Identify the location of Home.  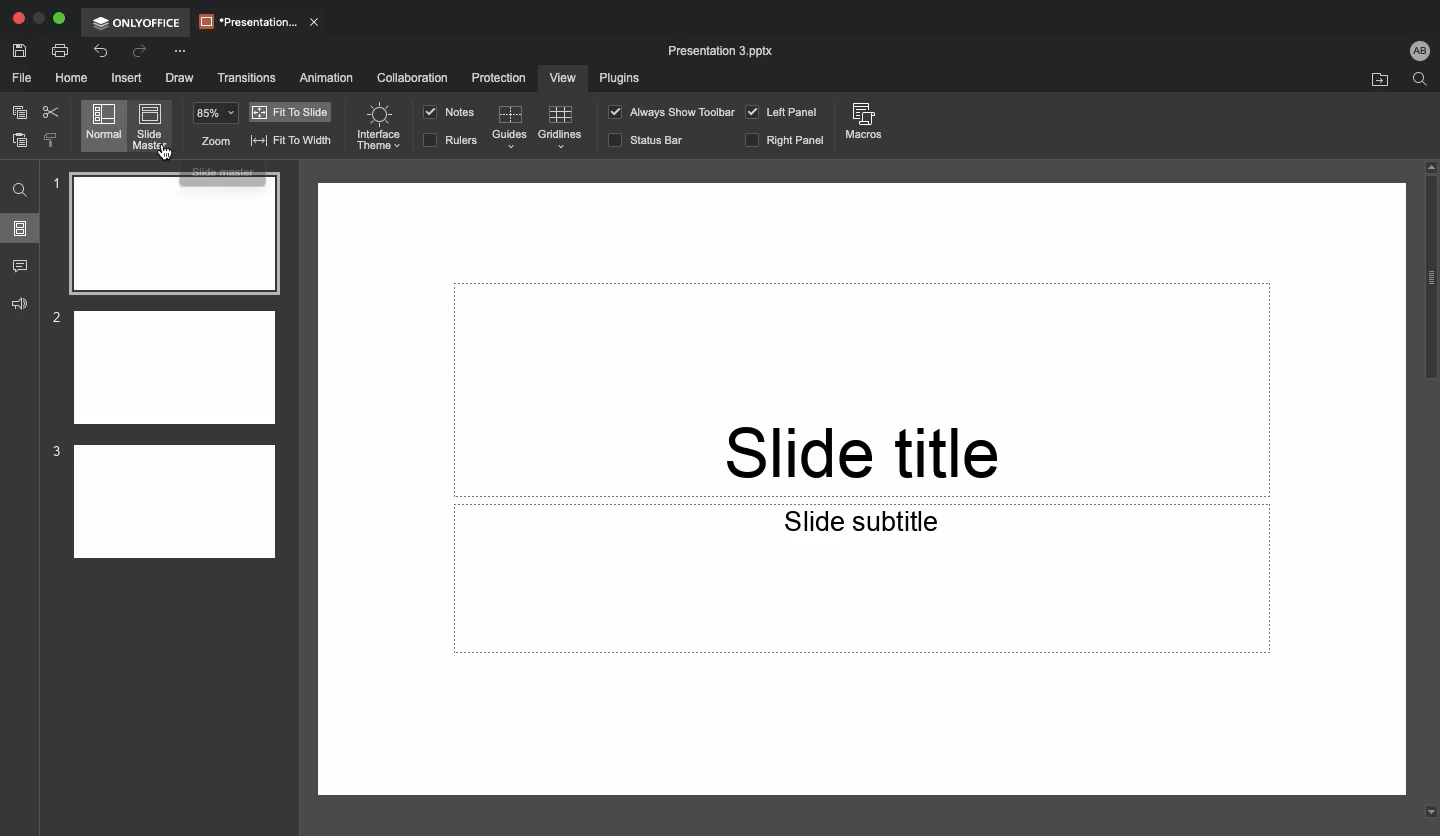
(69, 78).